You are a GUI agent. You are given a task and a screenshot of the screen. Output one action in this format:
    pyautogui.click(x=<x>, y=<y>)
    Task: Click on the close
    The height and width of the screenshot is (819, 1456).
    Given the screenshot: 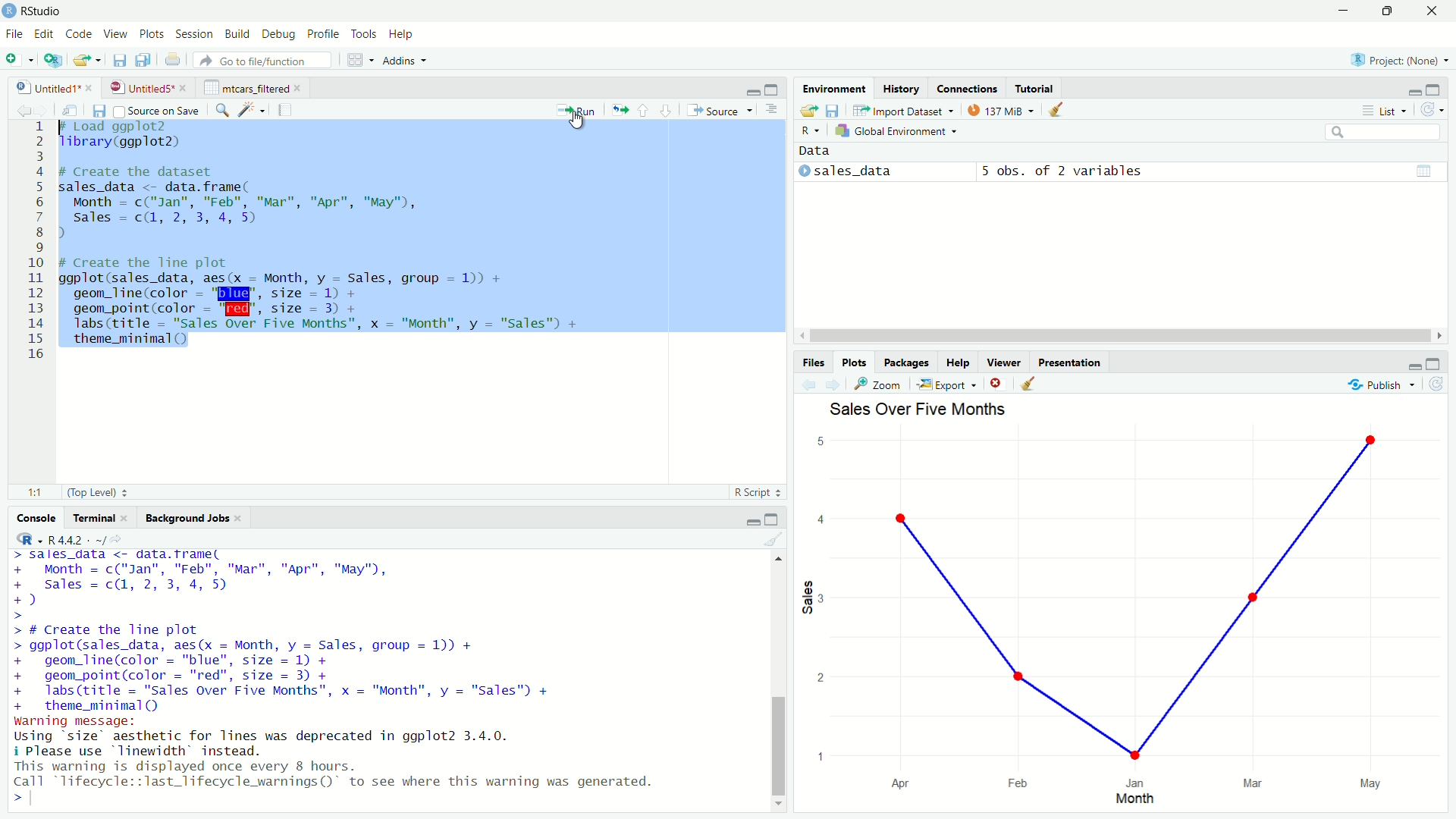 What is the action you would take?
    pyautogui.click(x=1435, y=11)
    